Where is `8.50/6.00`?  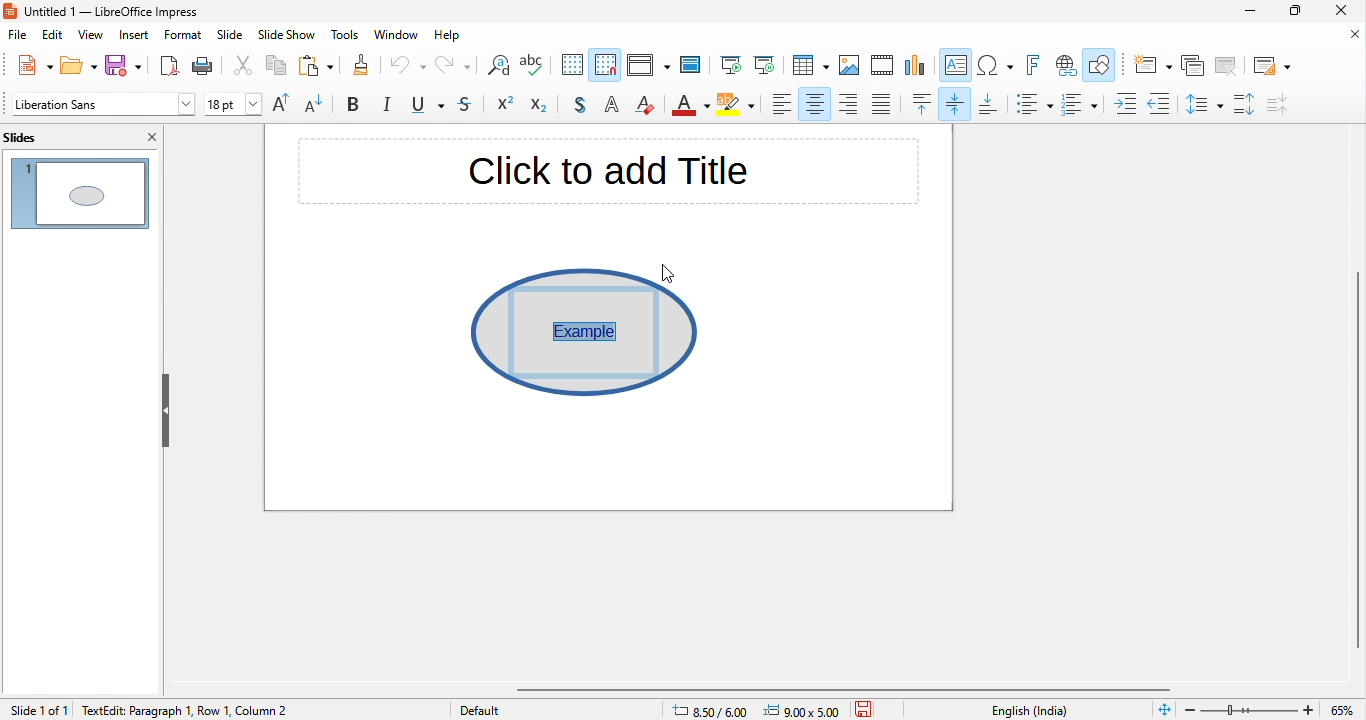
8.50/6.00 is located at coordinates (717, 709).